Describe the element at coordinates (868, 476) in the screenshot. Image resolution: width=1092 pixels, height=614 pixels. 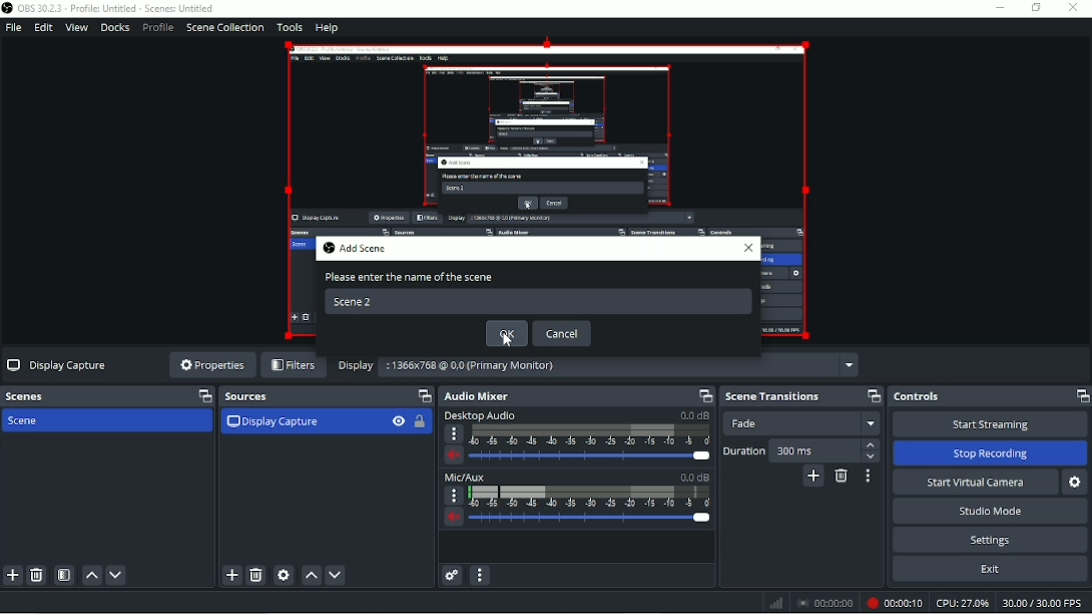
I see `Transition properties` at that location.